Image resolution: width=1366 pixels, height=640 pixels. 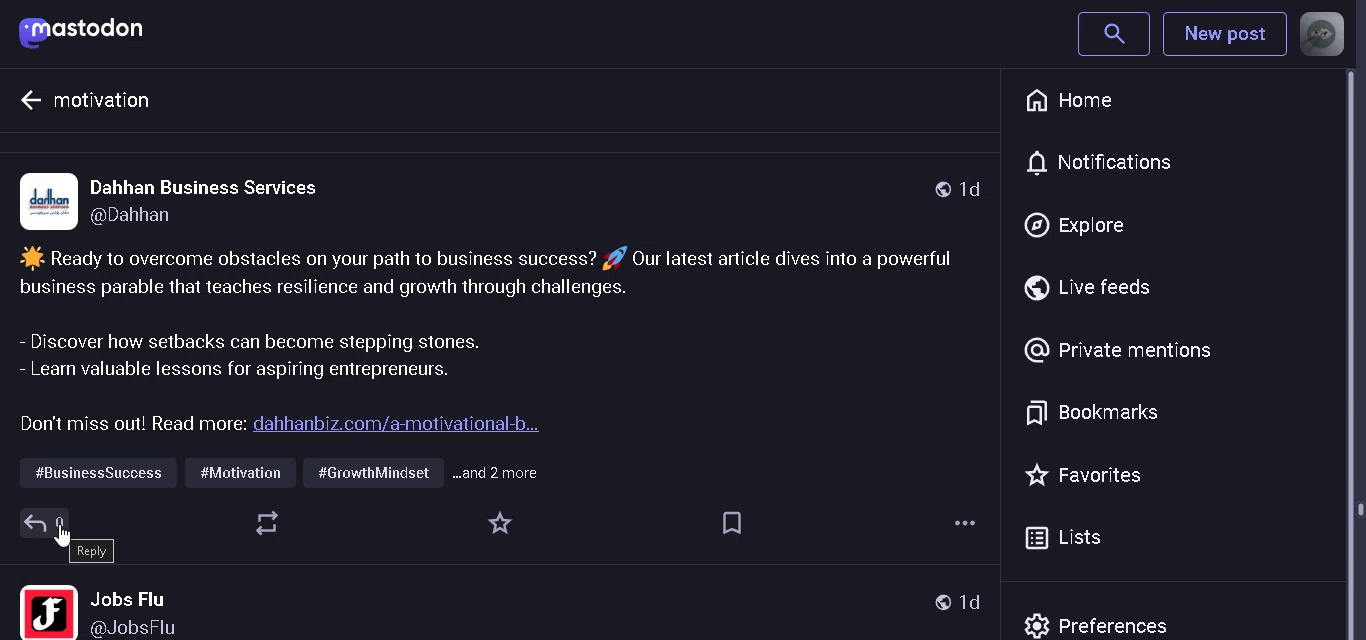 What do you see at coordinates (68, 540) in the screenshot?
I see `Cursor` at bounding box center [68, 540].